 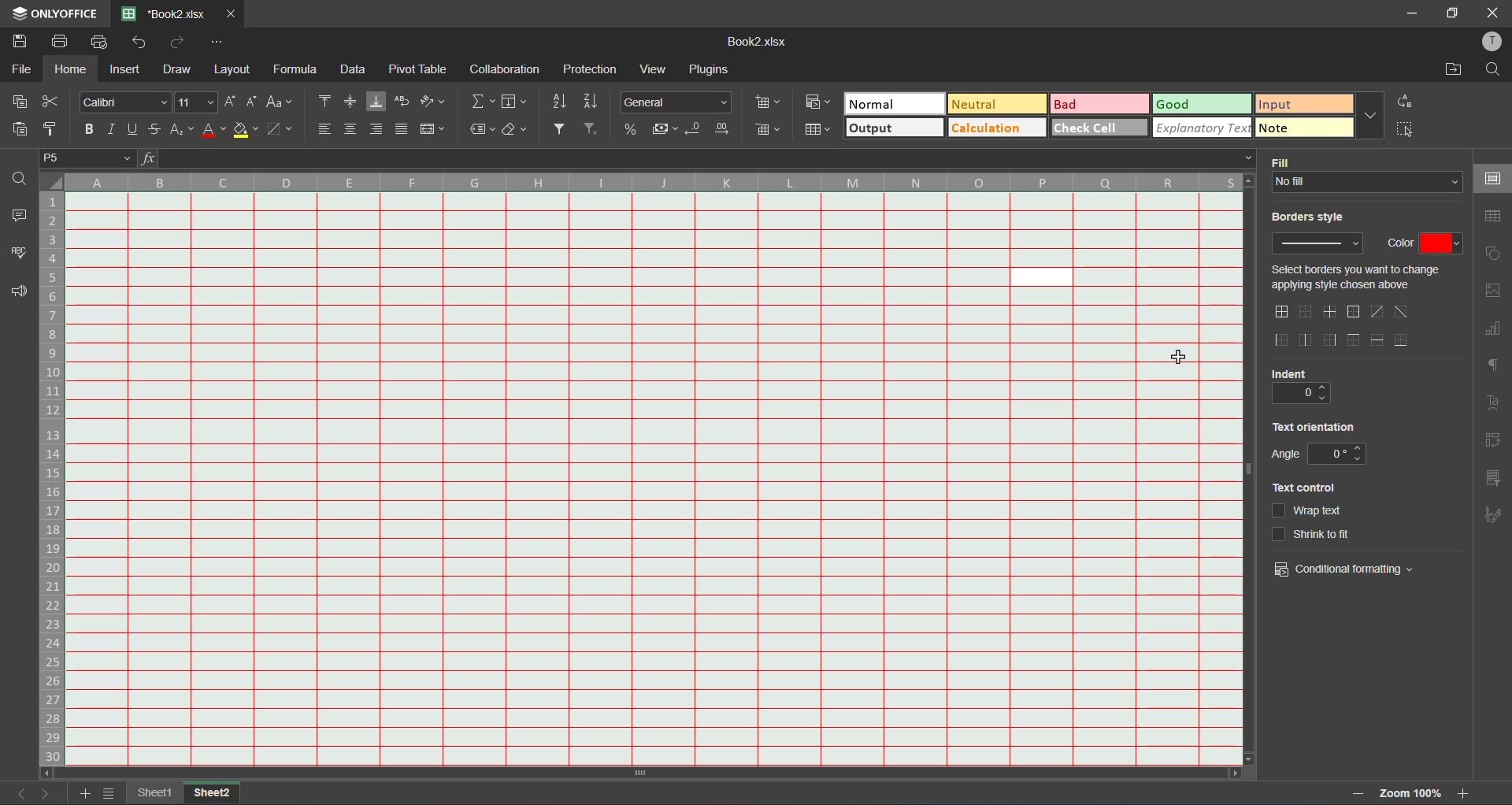 What do you see at coordinates (591, 72) in the screenshot?
I see `protection` at bounding box center [591, 72].